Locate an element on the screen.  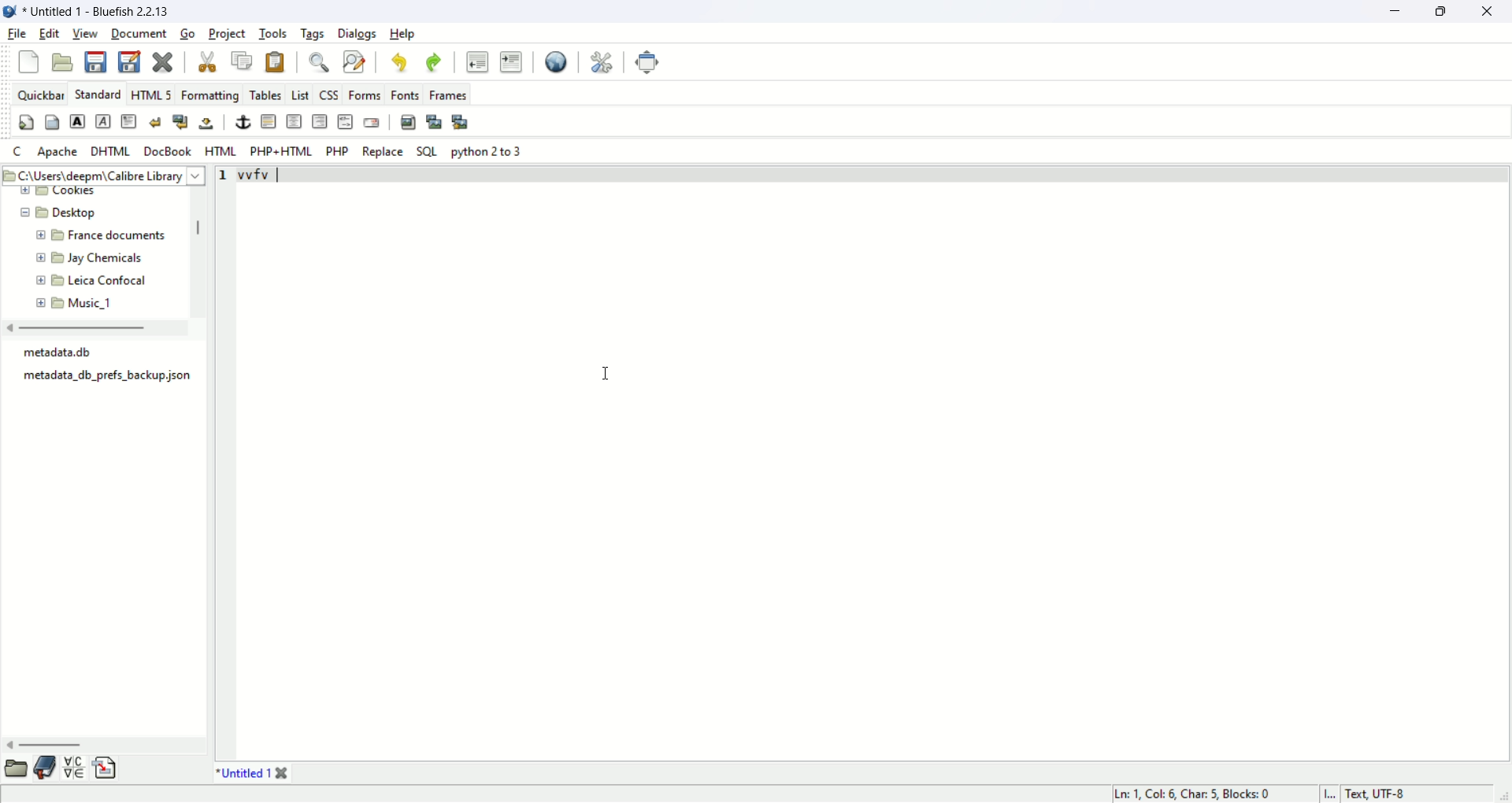
email is located at coordinates (370, 123).